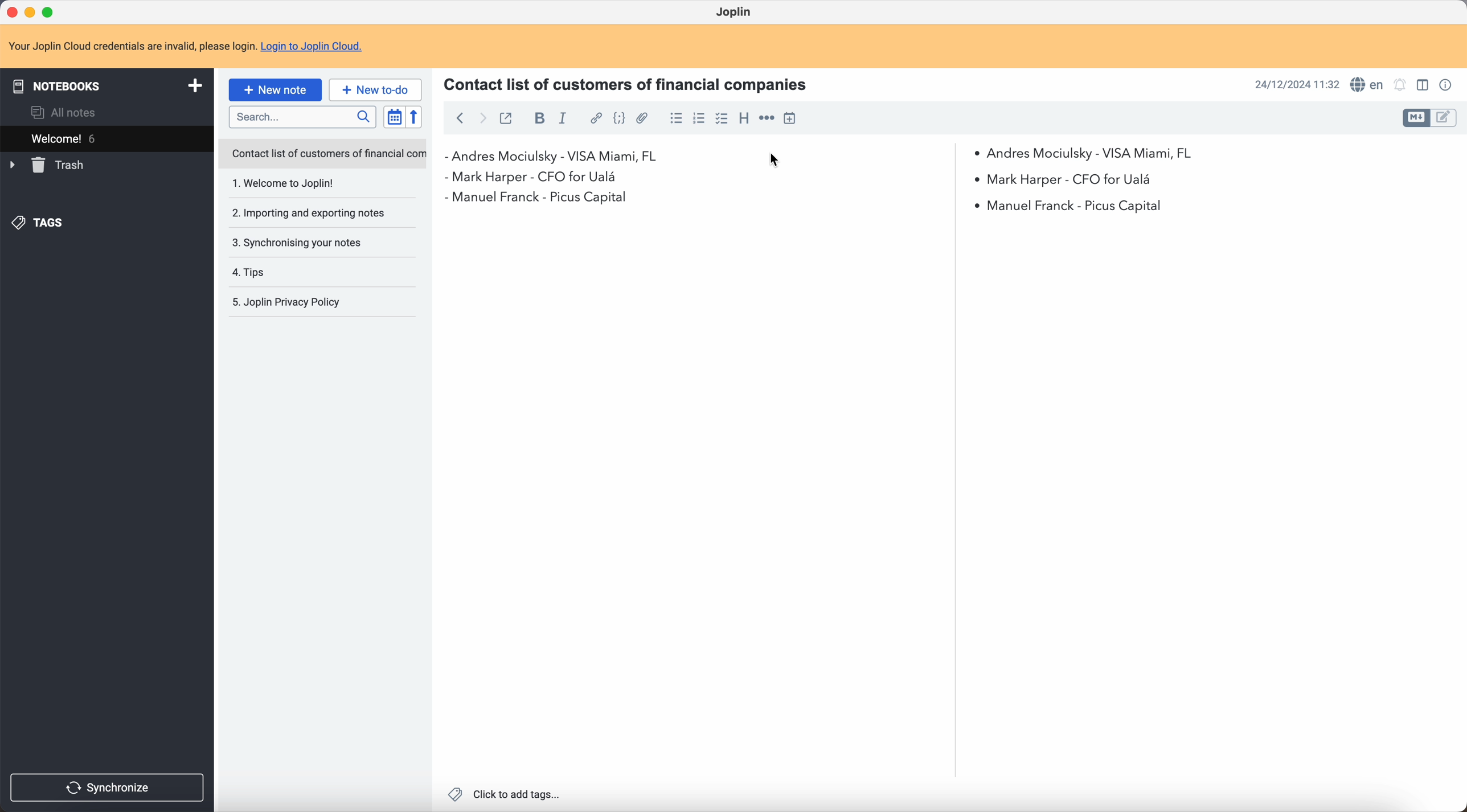 The width and height of the screenshot is (1467, 812). Describe the element at coordinates (105, 85) in the screenshot. I see `notebooks` at that location.